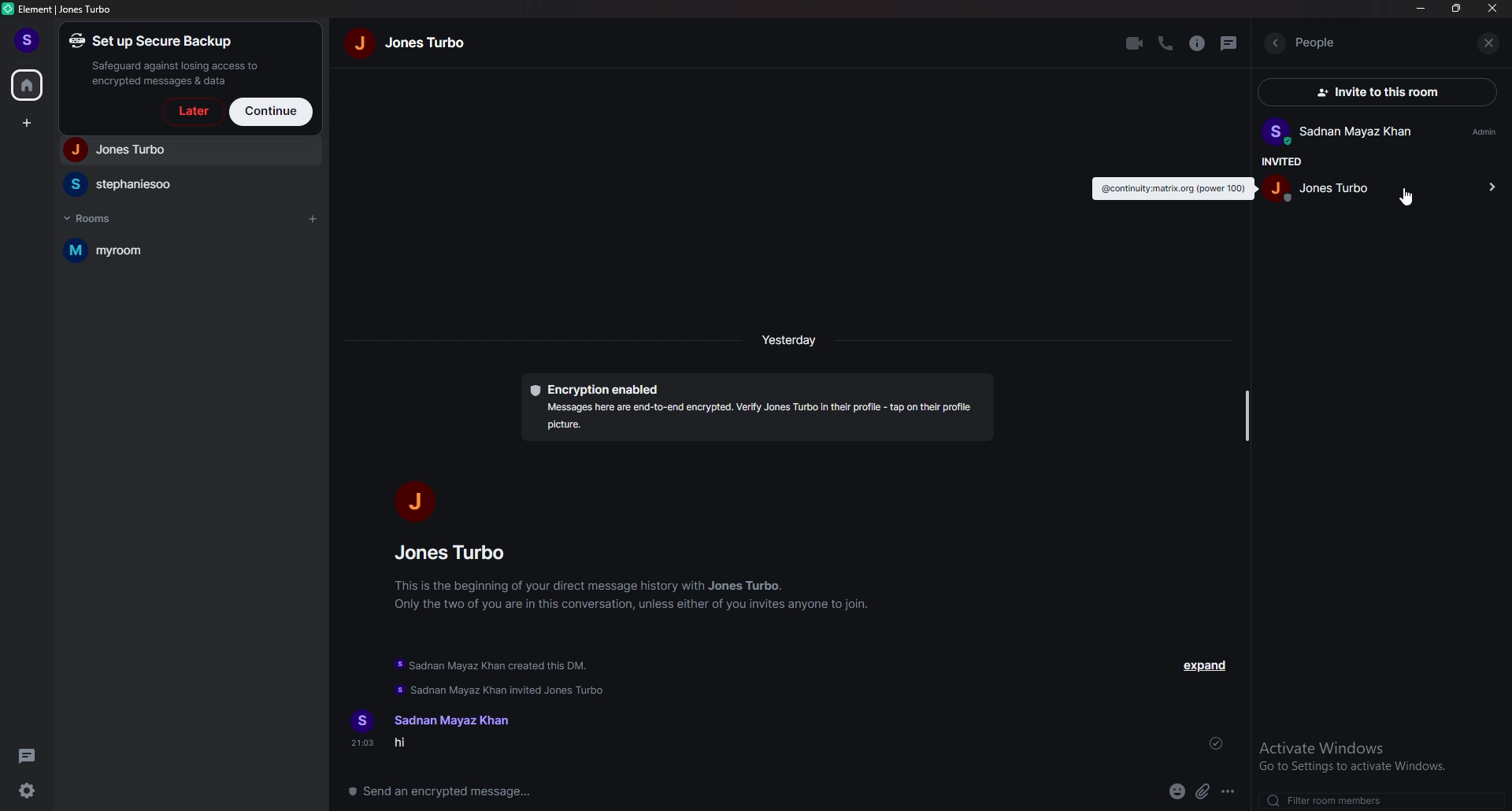 The image size is (1512, 811). What do you see at coordinates (1368, 43) in the screenshot?
I see `search tab` at bounding box center [1368, 43].